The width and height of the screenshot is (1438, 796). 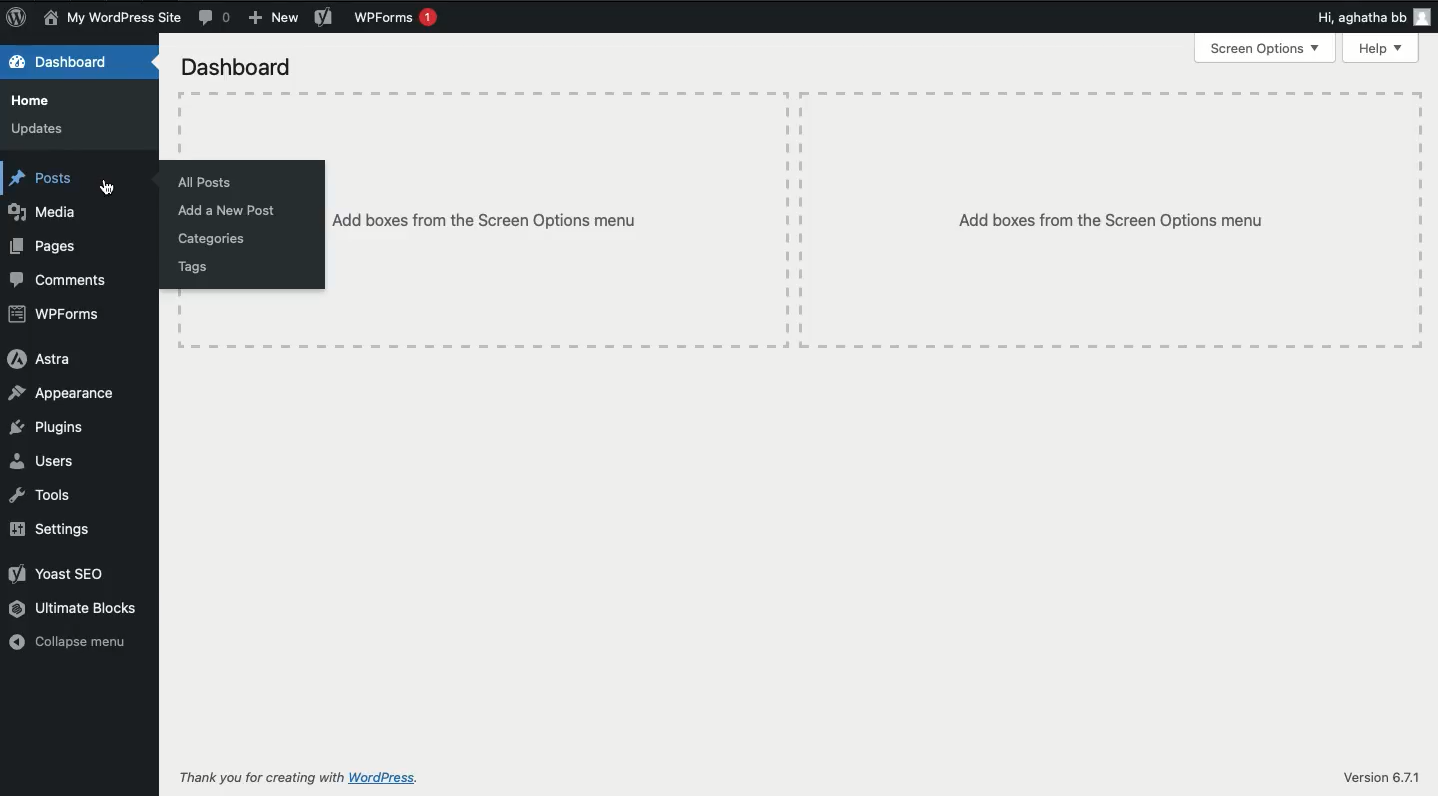 I want to click on Help, so click(x=1378, y=49).